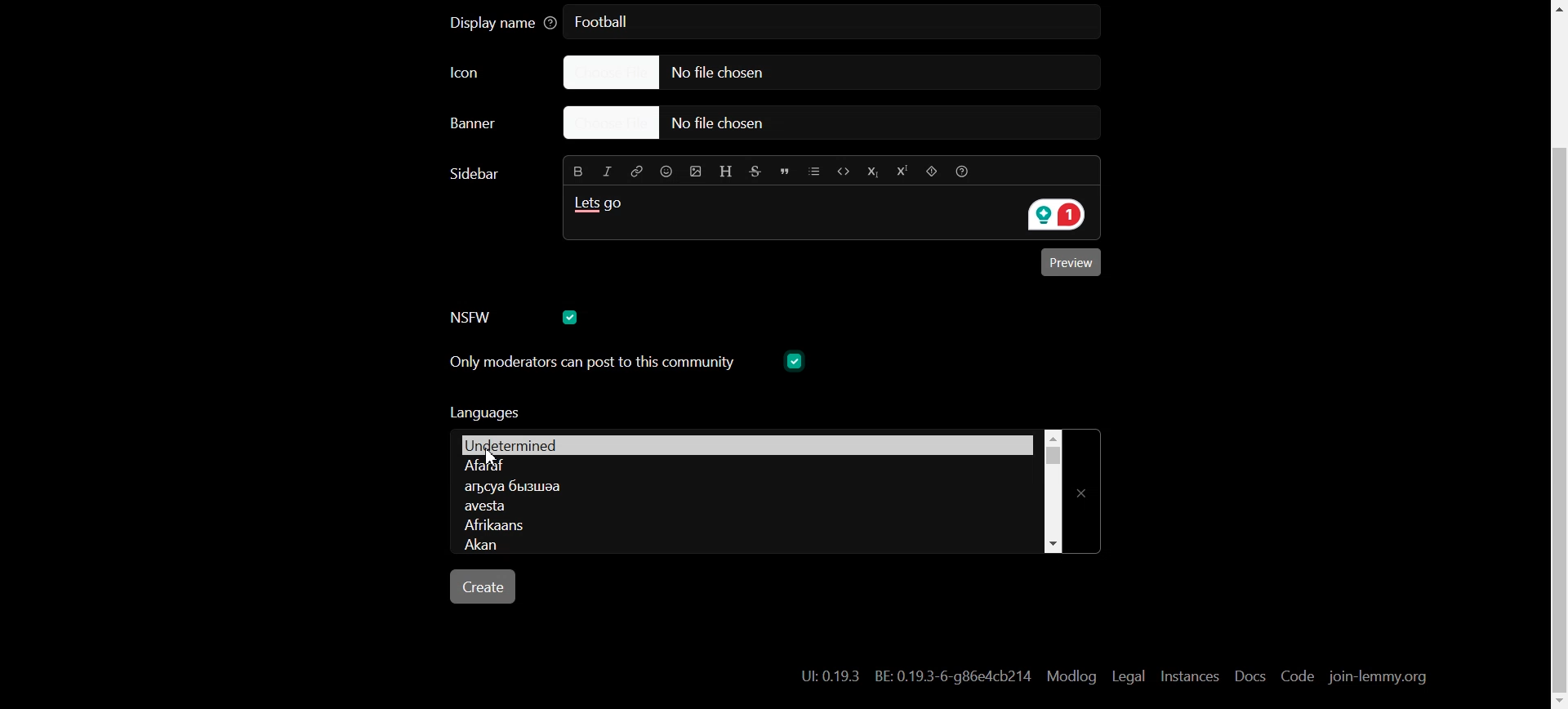  What do you see at coordinates (1376, 677) in the screenshot?
I see `Join-lemmy.org` at bounding box center [1376, 677].